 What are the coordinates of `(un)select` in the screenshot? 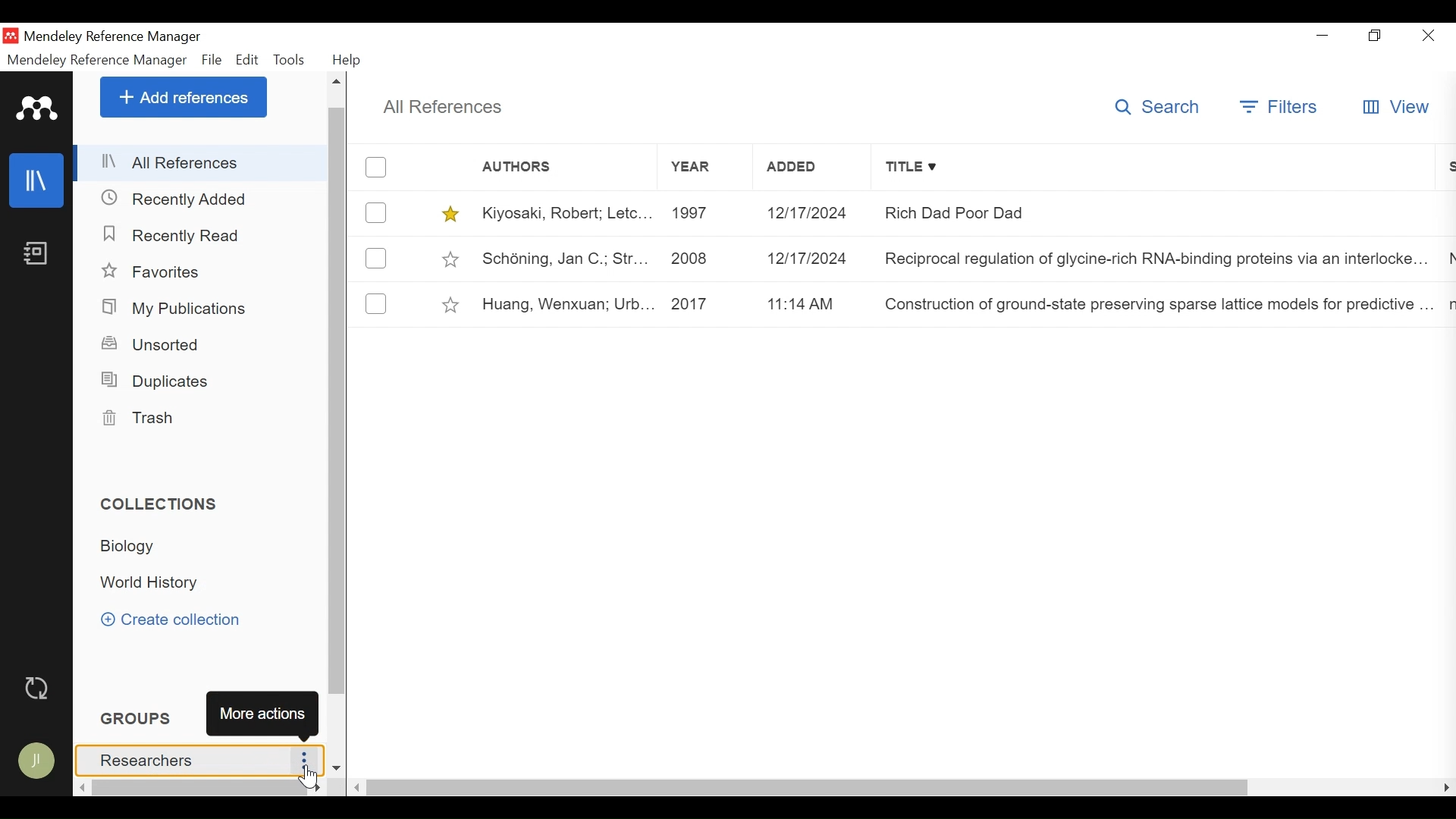 It's located at (376, 304).